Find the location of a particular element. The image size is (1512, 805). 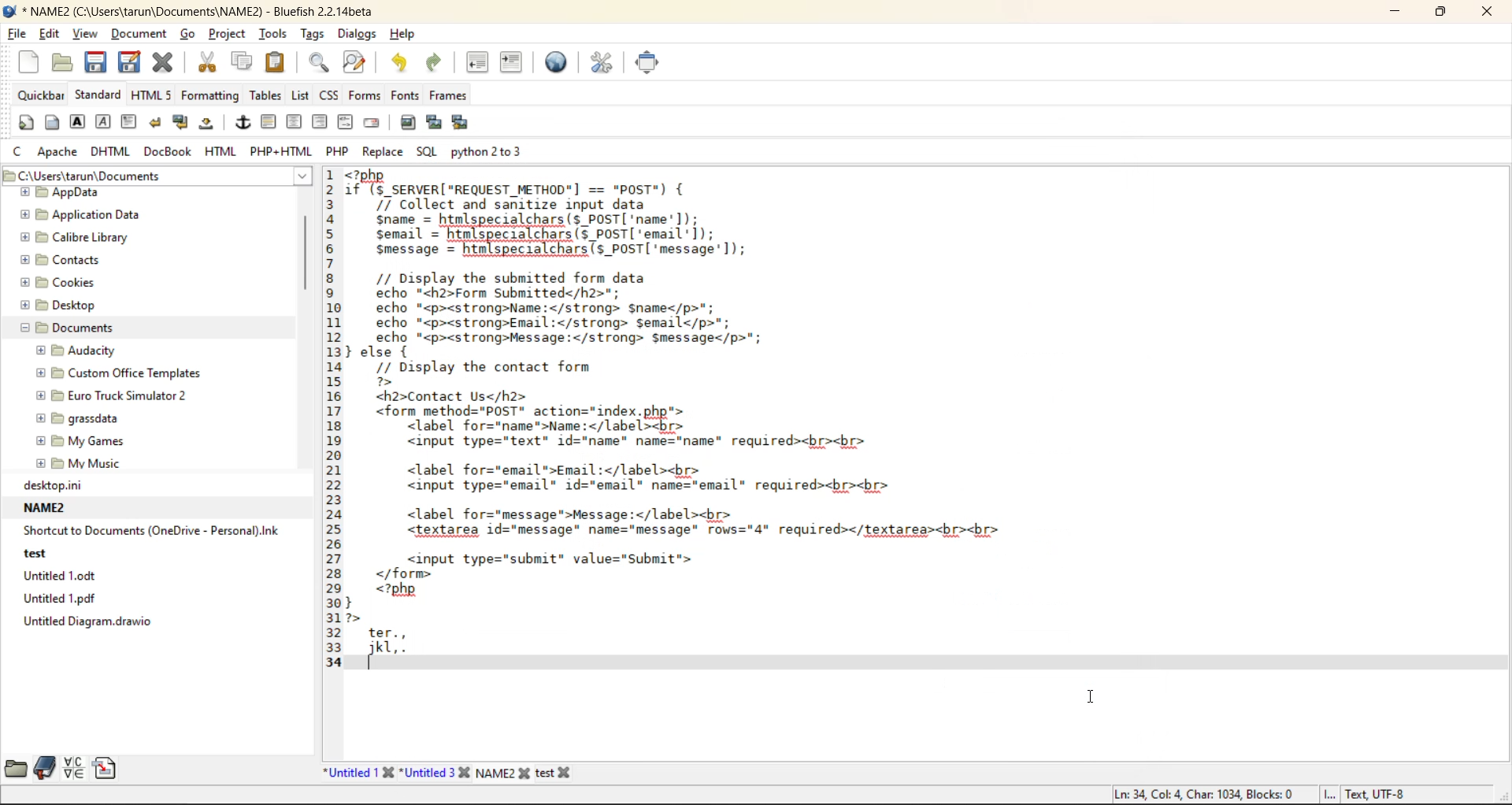

dialogs is located at coordinates (357, 35).